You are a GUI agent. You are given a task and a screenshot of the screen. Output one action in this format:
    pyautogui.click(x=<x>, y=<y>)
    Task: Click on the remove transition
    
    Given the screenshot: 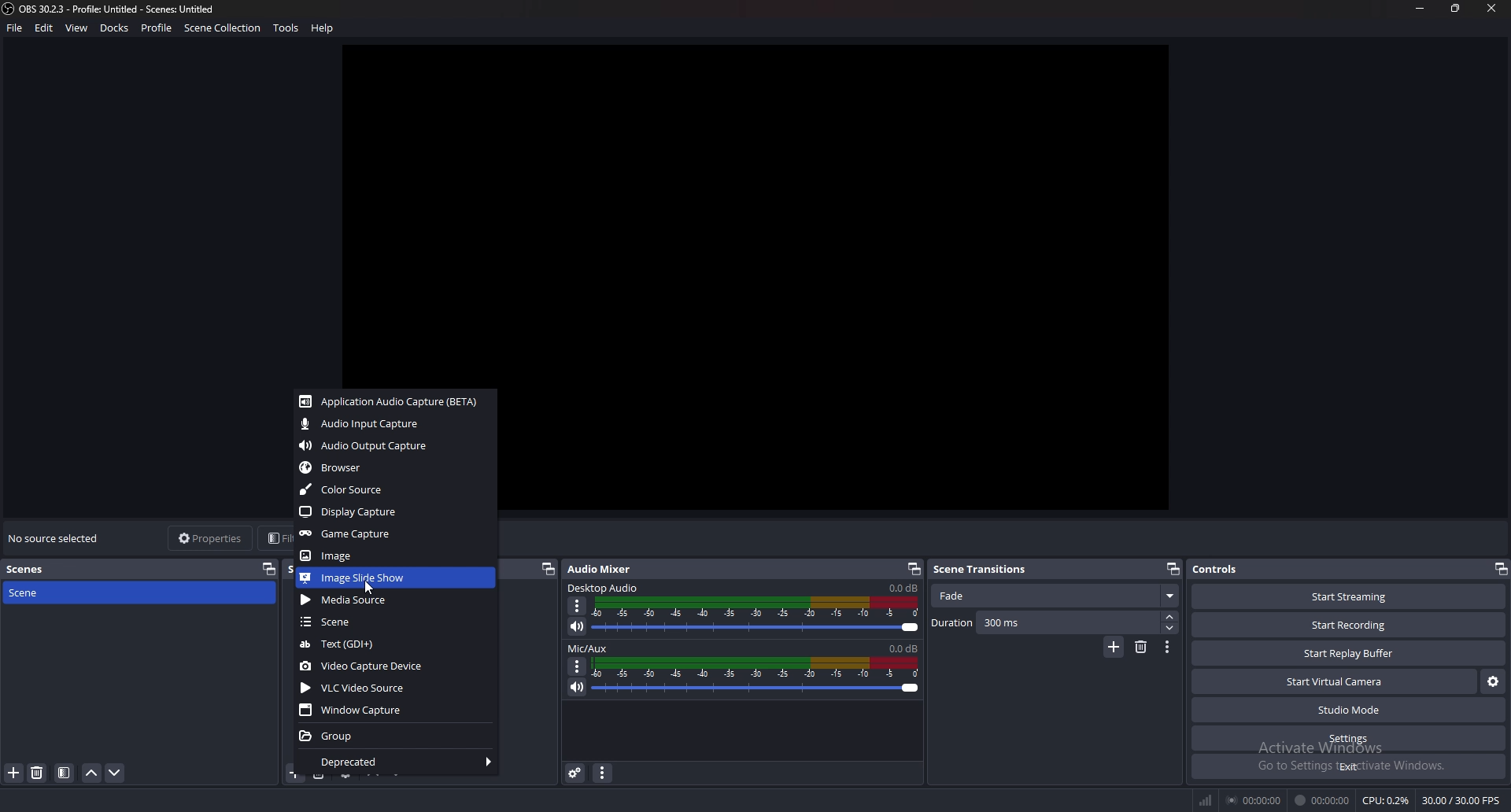 What is the action you would take?
    pyautogui.click(x=1140, y=648)
    